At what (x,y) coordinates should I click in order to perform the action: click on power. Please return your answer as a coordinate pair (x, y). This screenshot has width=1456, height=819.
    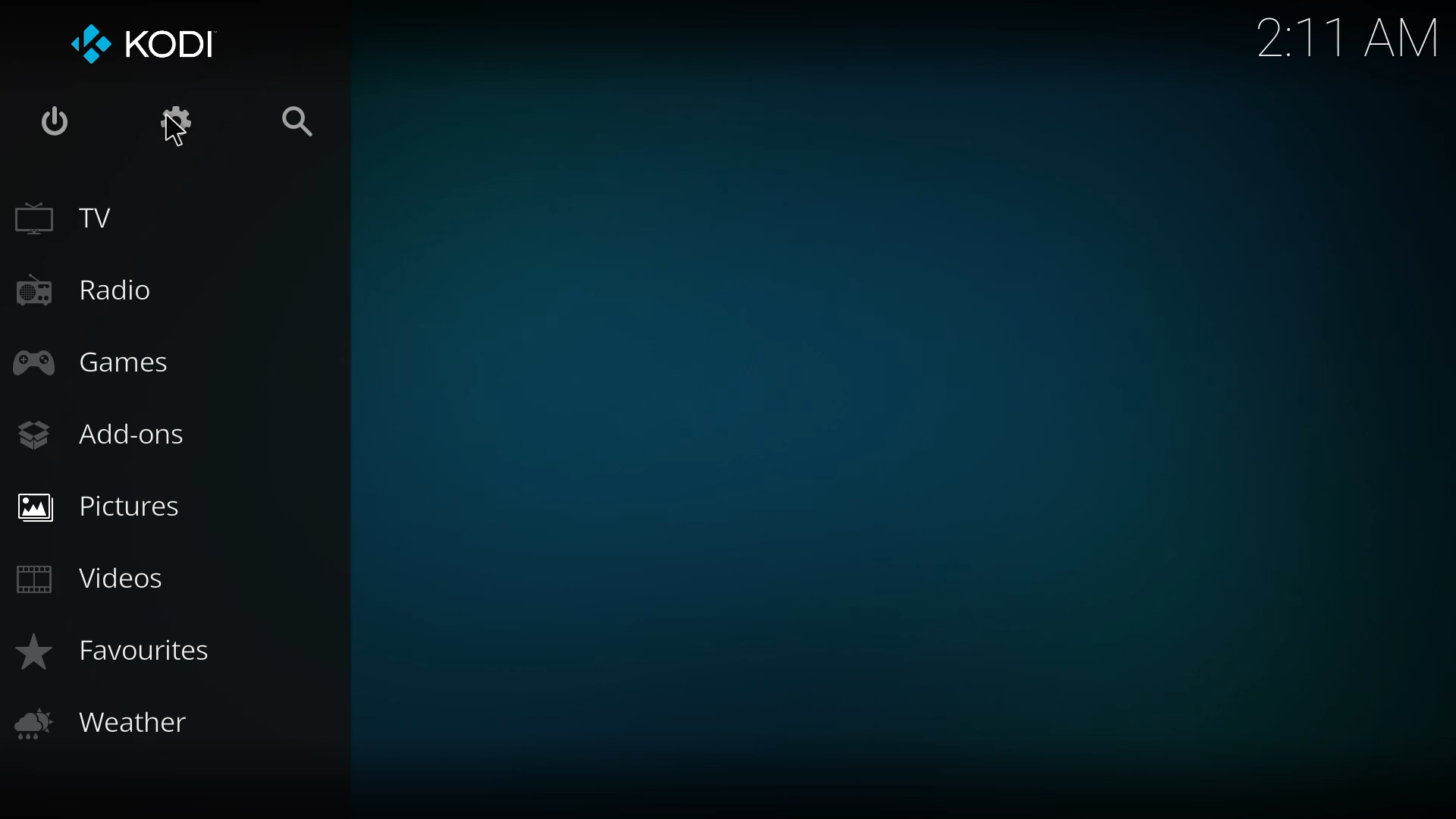
    Looking at the image, I should click on (60, 124).